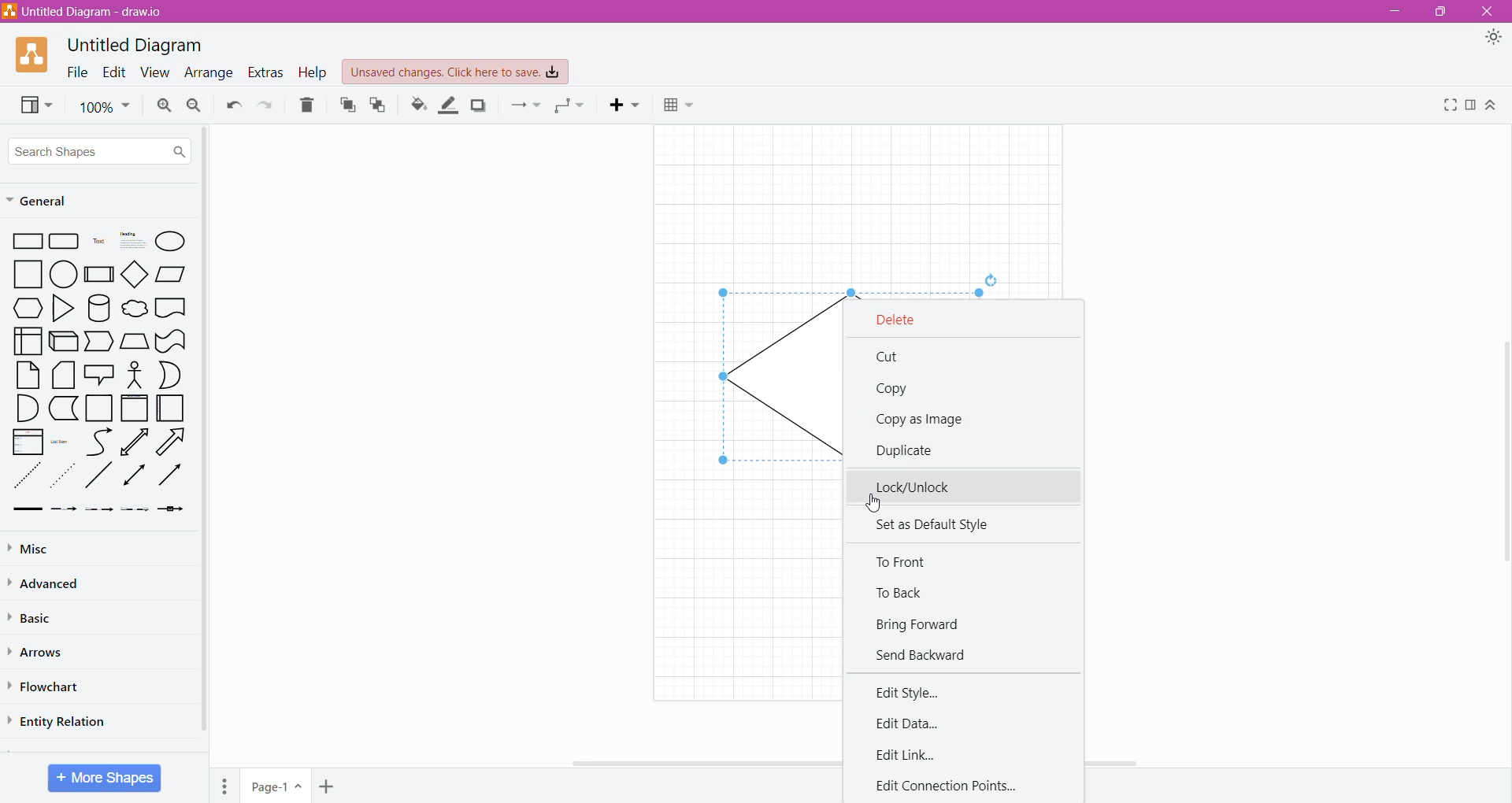 The width and height of the screenshot is (1512, 803). What do you see at coordinates (105, 108) in the screenshot?
I see `Zoom` at bounding box center [105, 108].